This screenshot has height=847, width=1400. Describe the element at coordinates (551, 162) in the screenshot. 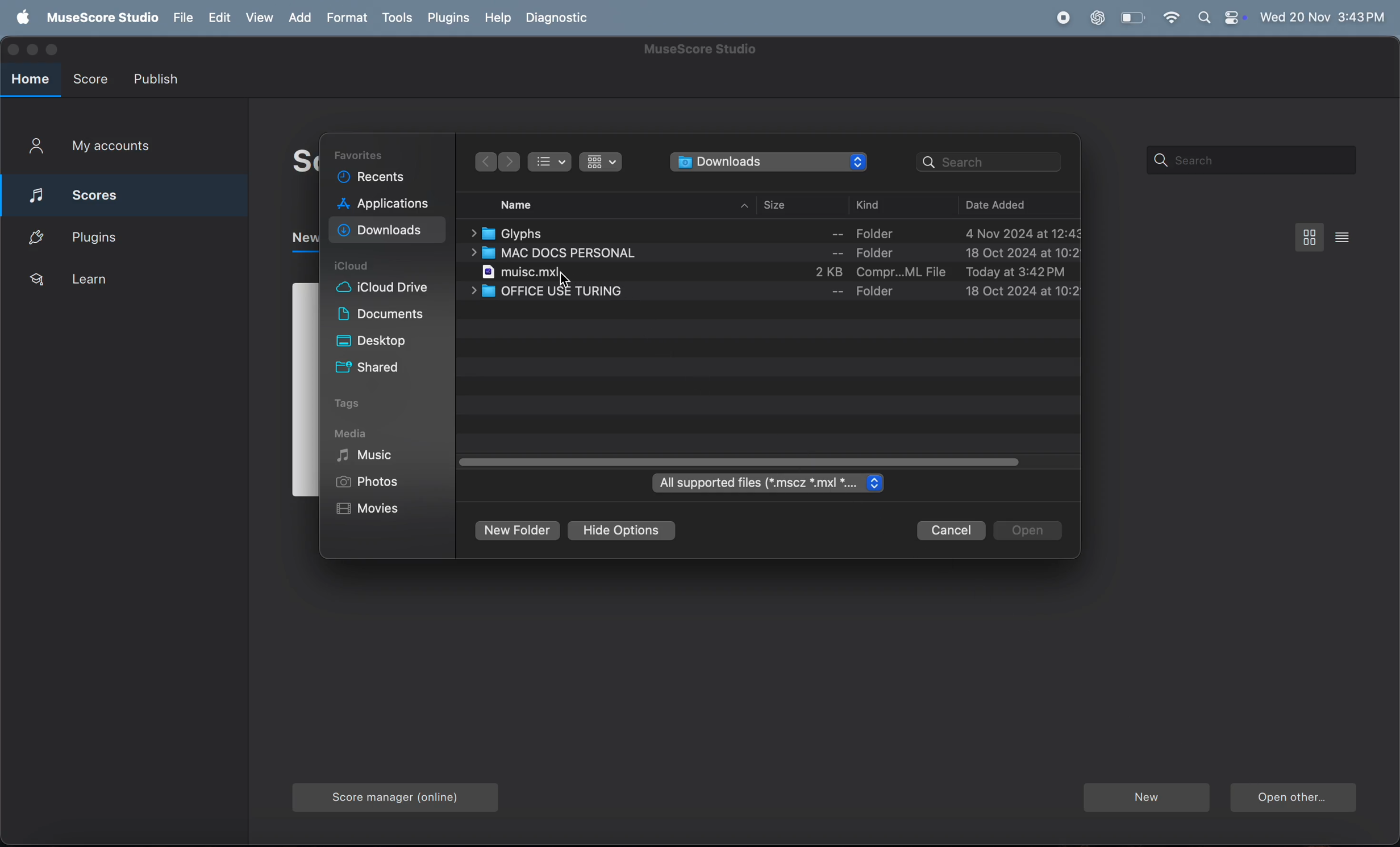

I see `show item as list` at that location.